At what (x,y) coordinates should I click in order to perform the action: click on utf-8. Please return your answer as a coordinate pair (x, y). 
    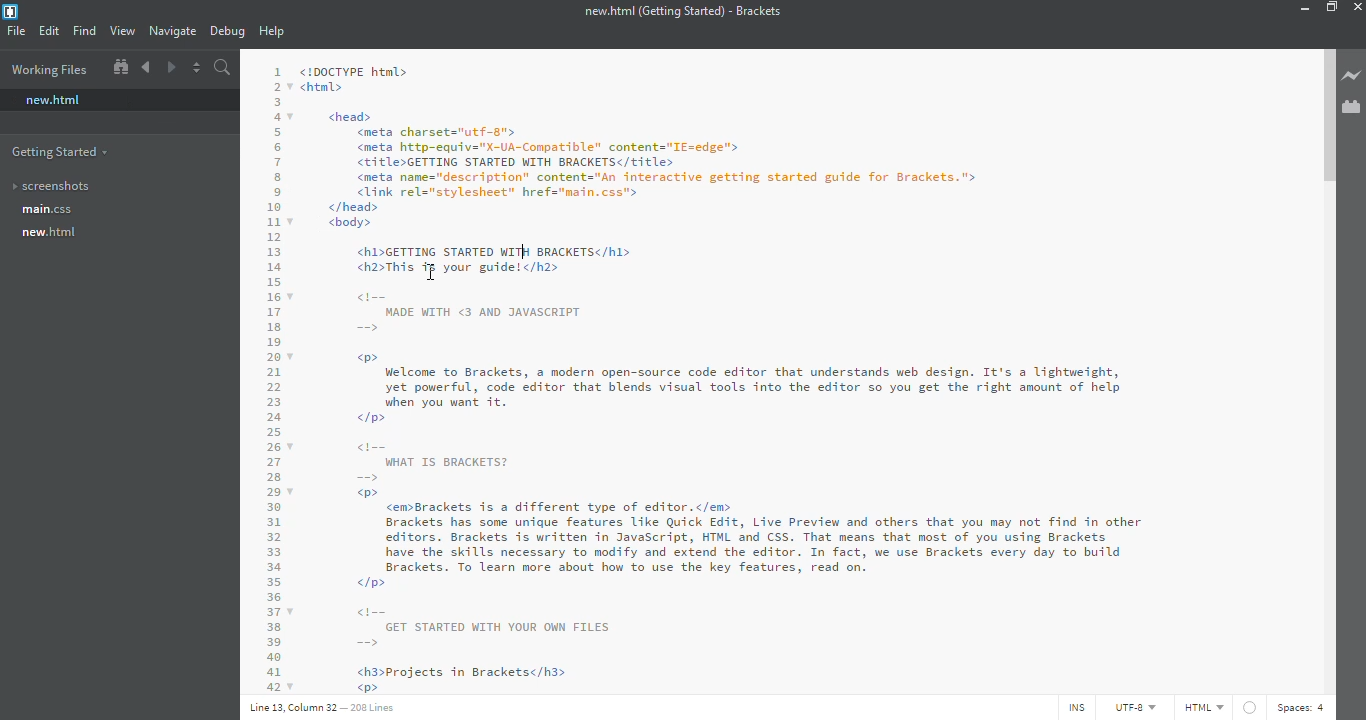
    Looking at the image, I should click on (1136, 708).